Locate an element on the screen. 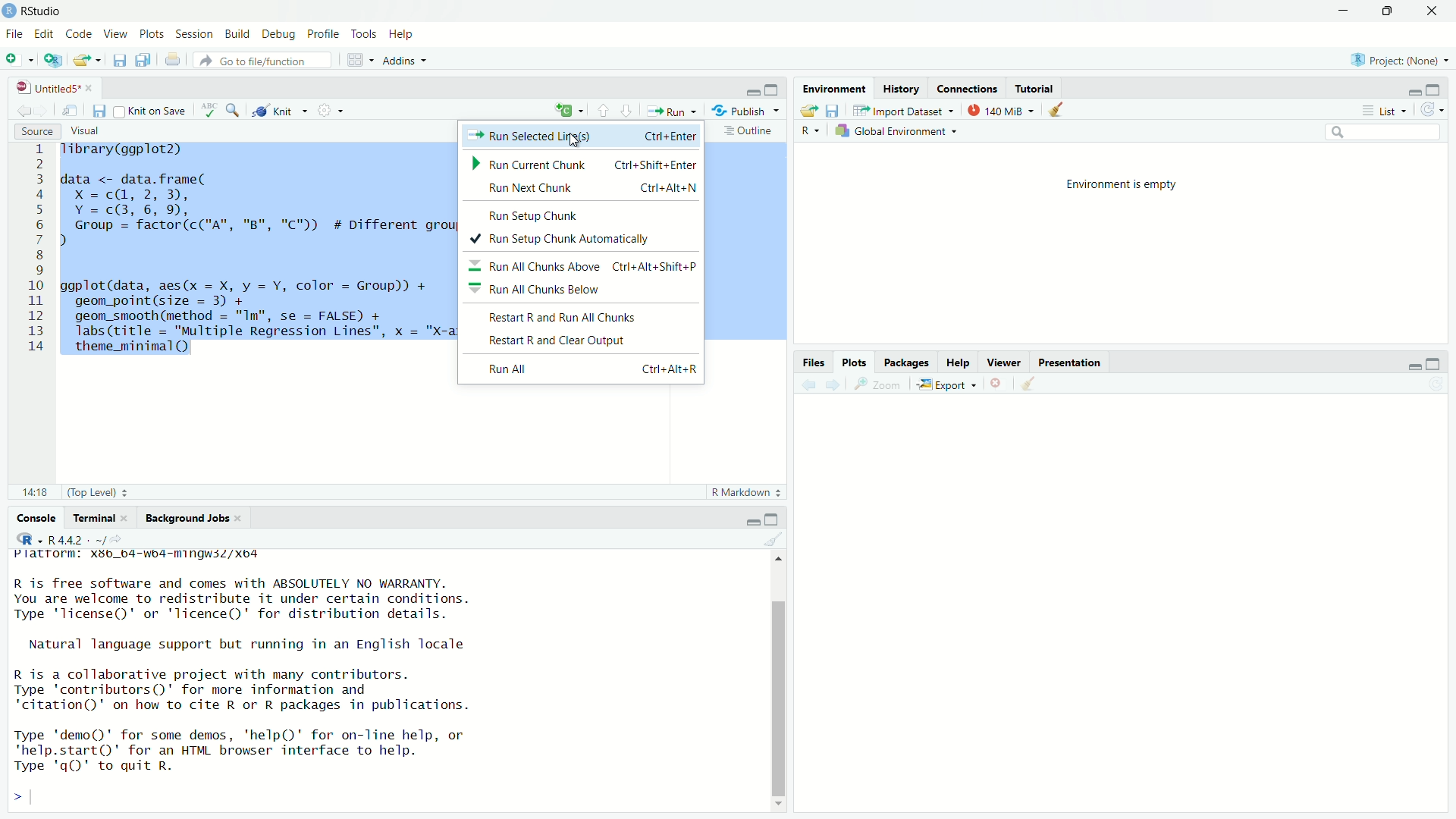  clear is located at coordinates (1058, 111).